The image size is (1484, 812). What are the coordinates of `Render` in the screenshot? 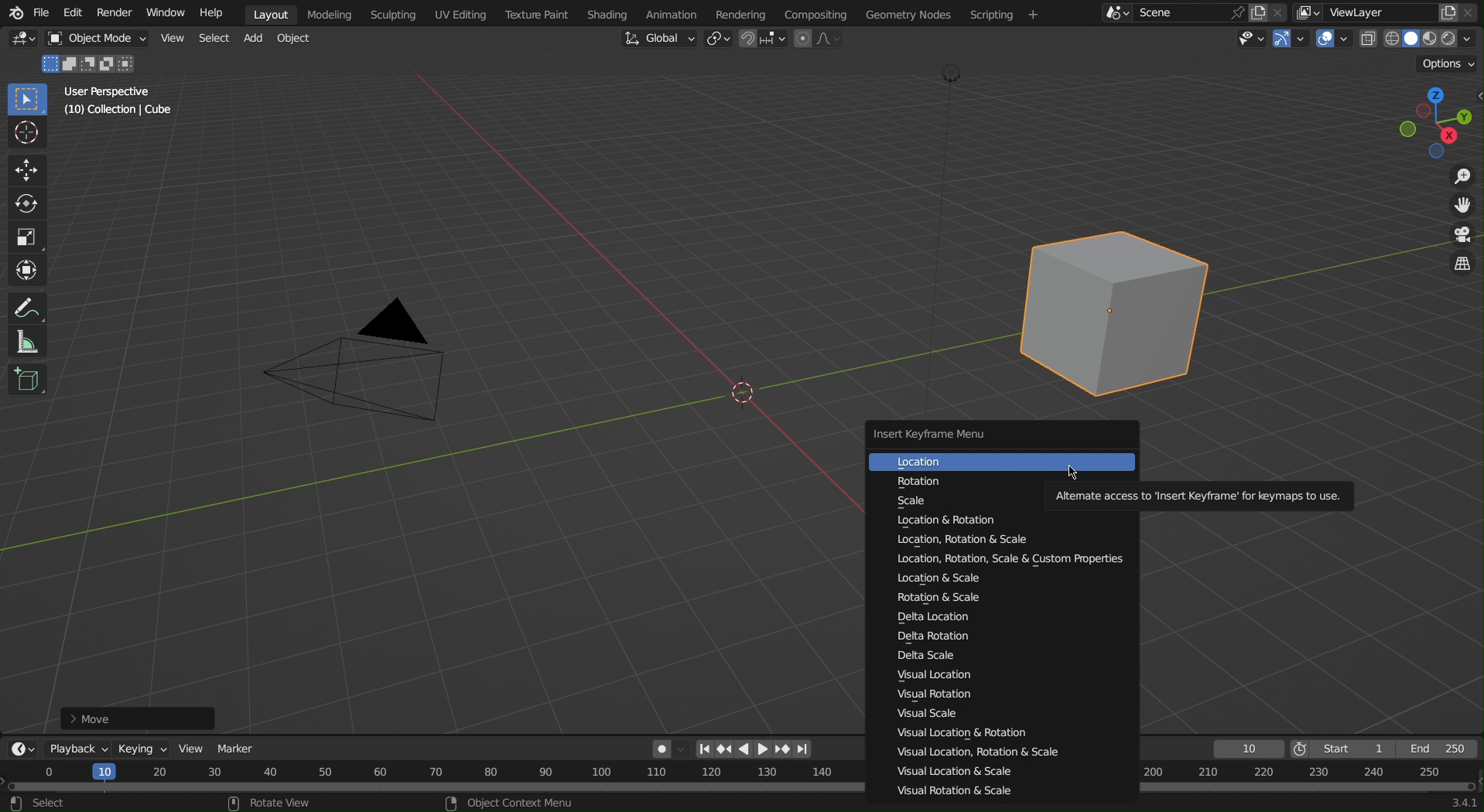 It's located at (118, 12).